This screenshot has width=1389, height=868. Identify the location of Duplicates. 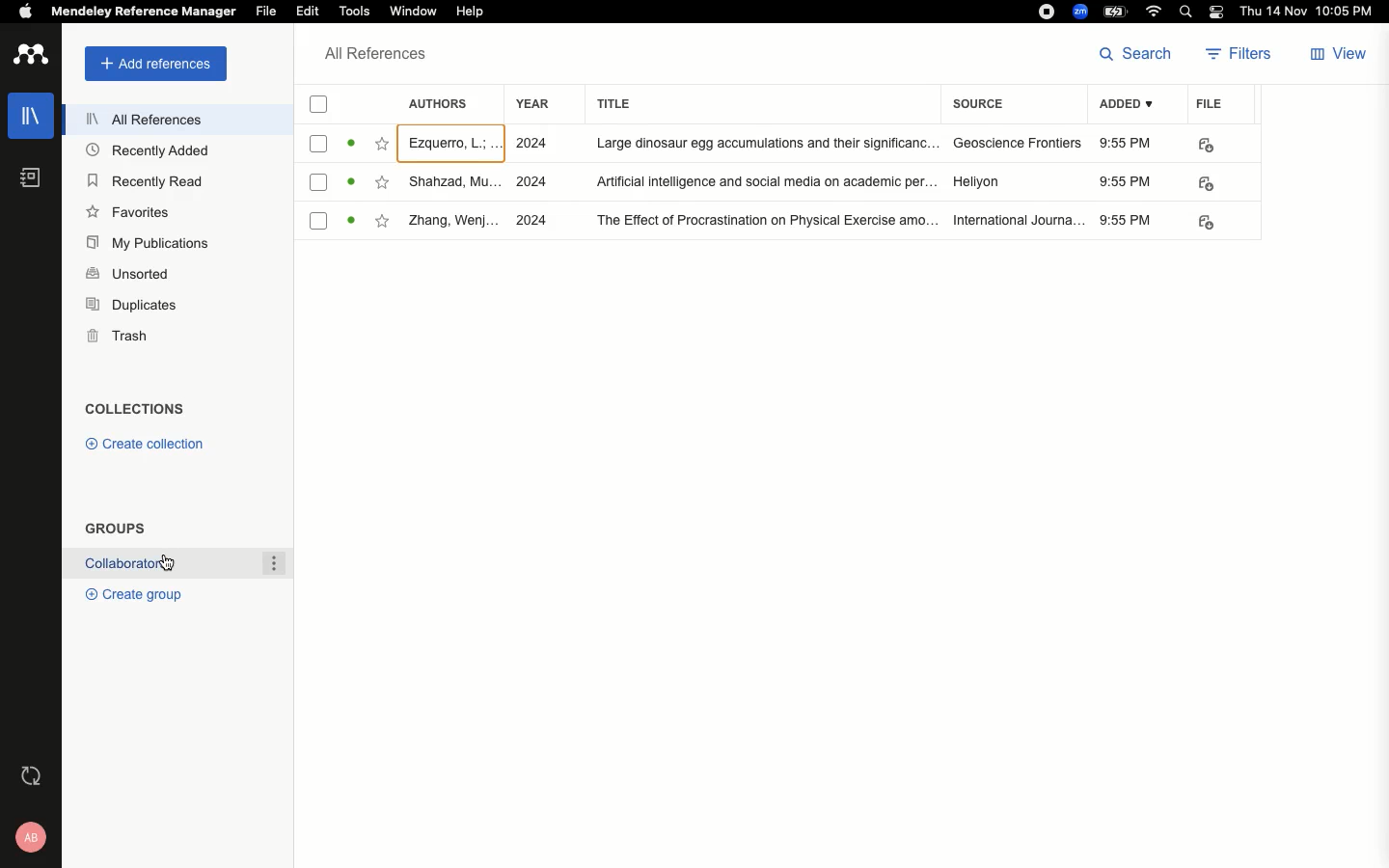
(129, 303).